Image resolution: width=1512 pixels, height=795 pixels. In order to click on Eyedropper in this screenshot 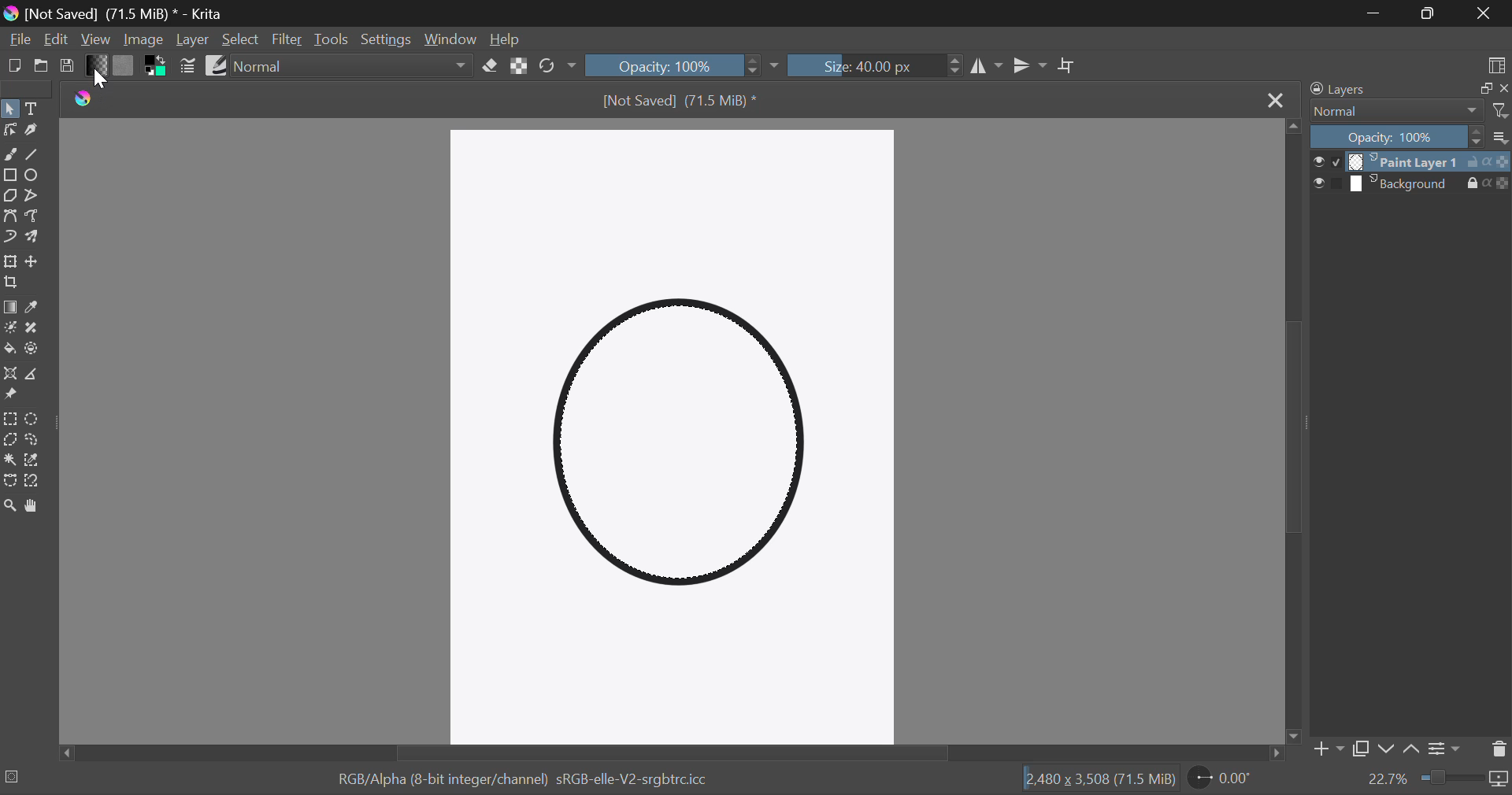, I will do `click(36, 307)`.